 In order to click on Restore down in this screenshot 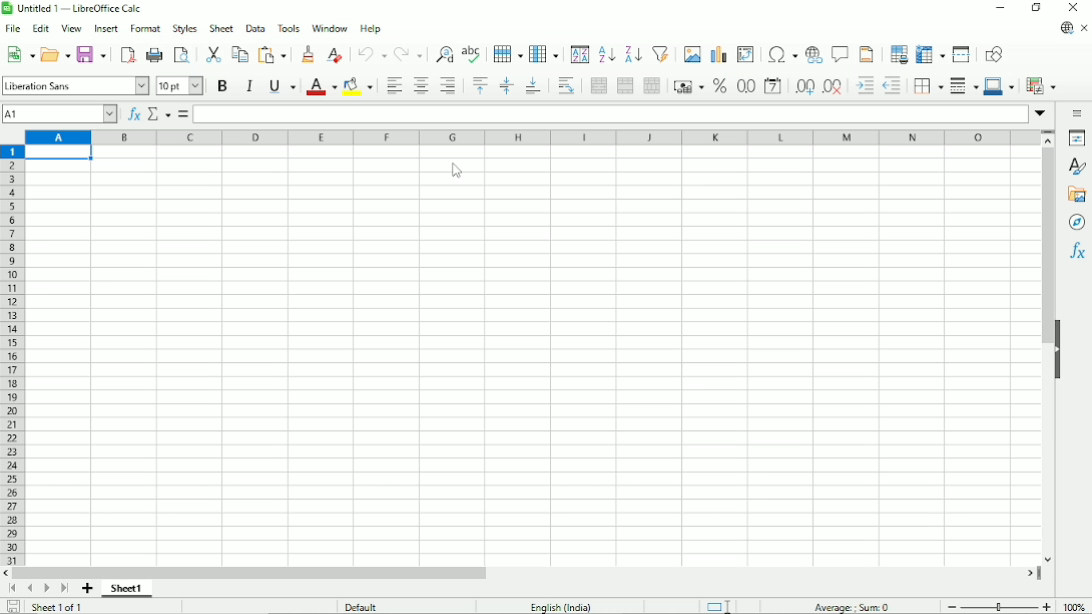, I will do `click(1037, 9)`.